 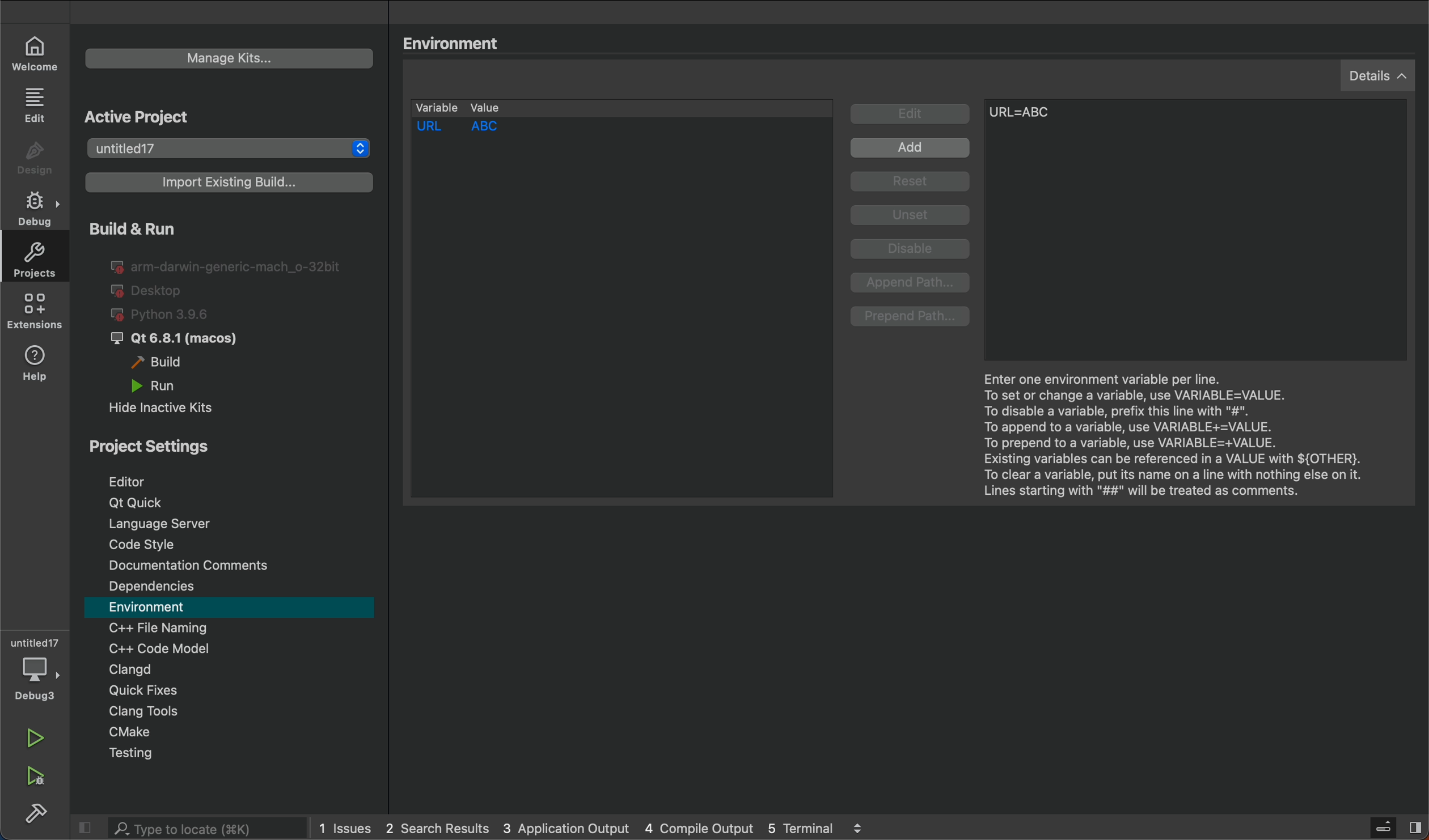 I want to click on cmake, so click(x=239, y=732).